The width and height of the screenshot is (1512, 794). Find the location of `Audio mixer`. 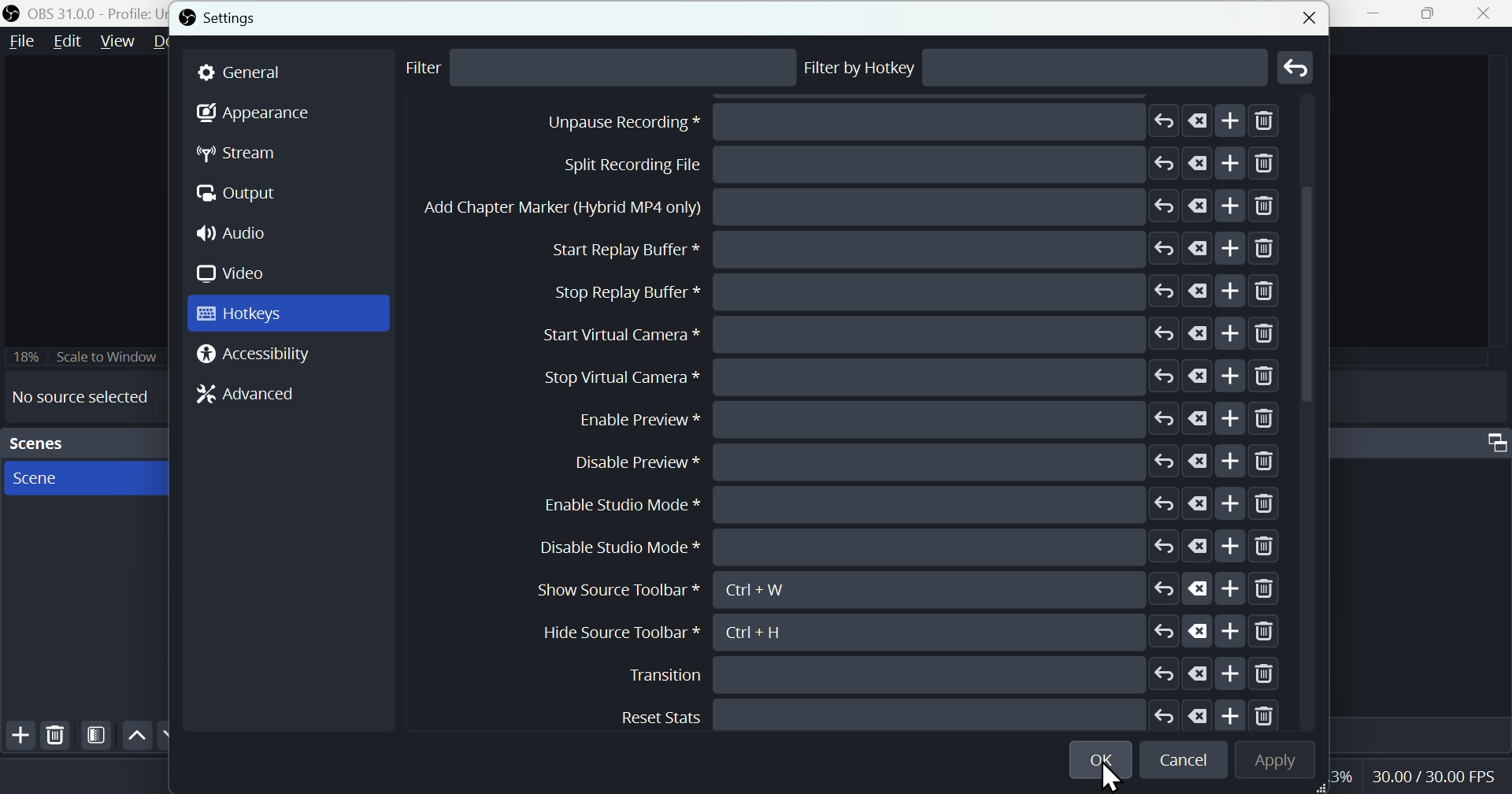

Audio mixer is located at coordinates (1493, 439).